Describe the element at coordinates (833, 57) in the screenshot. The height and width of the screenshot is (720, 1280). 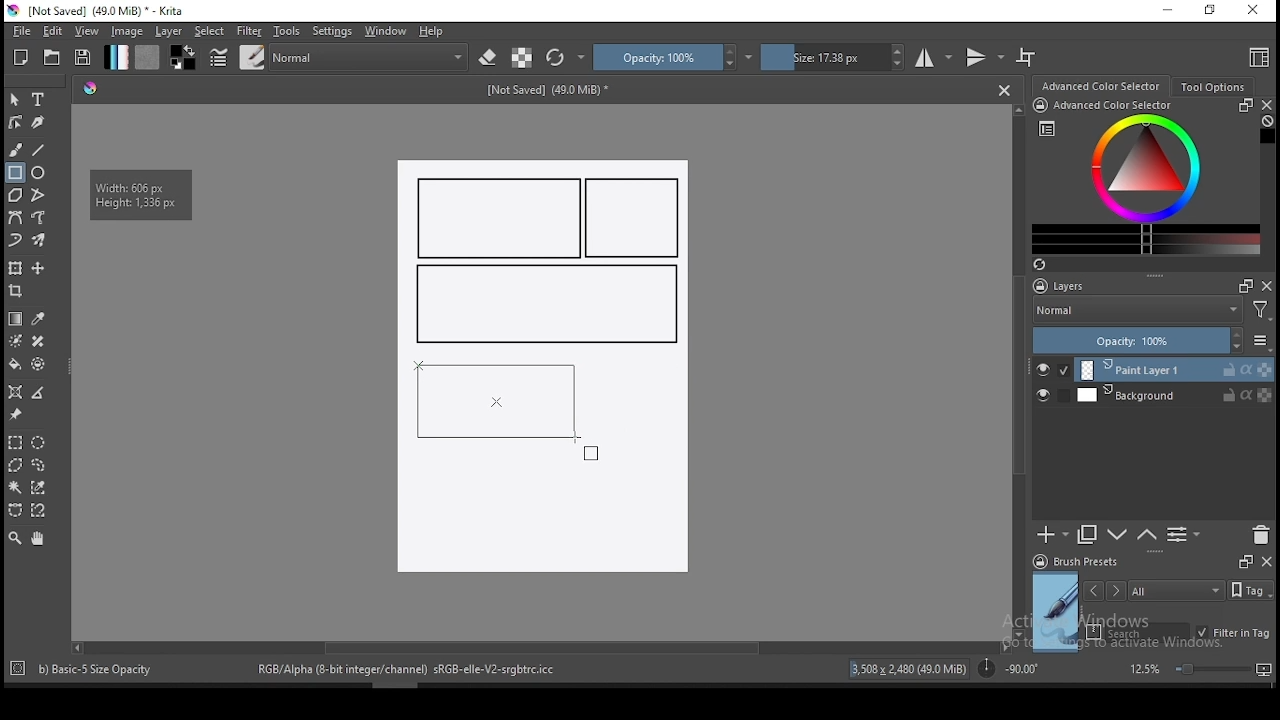
I see `size` at that location.